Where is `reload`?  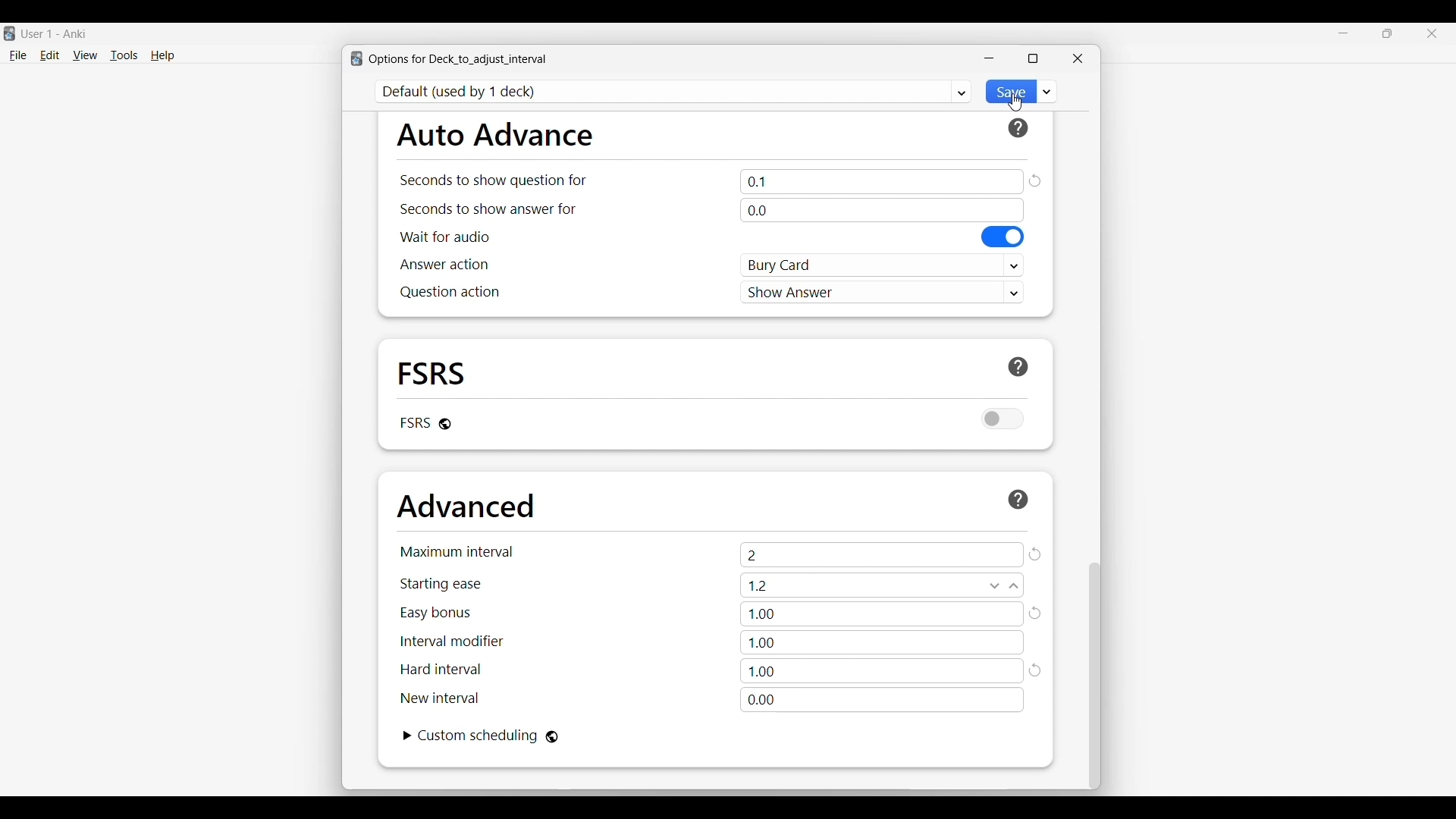
reload is located at coordinates (1037, 672).